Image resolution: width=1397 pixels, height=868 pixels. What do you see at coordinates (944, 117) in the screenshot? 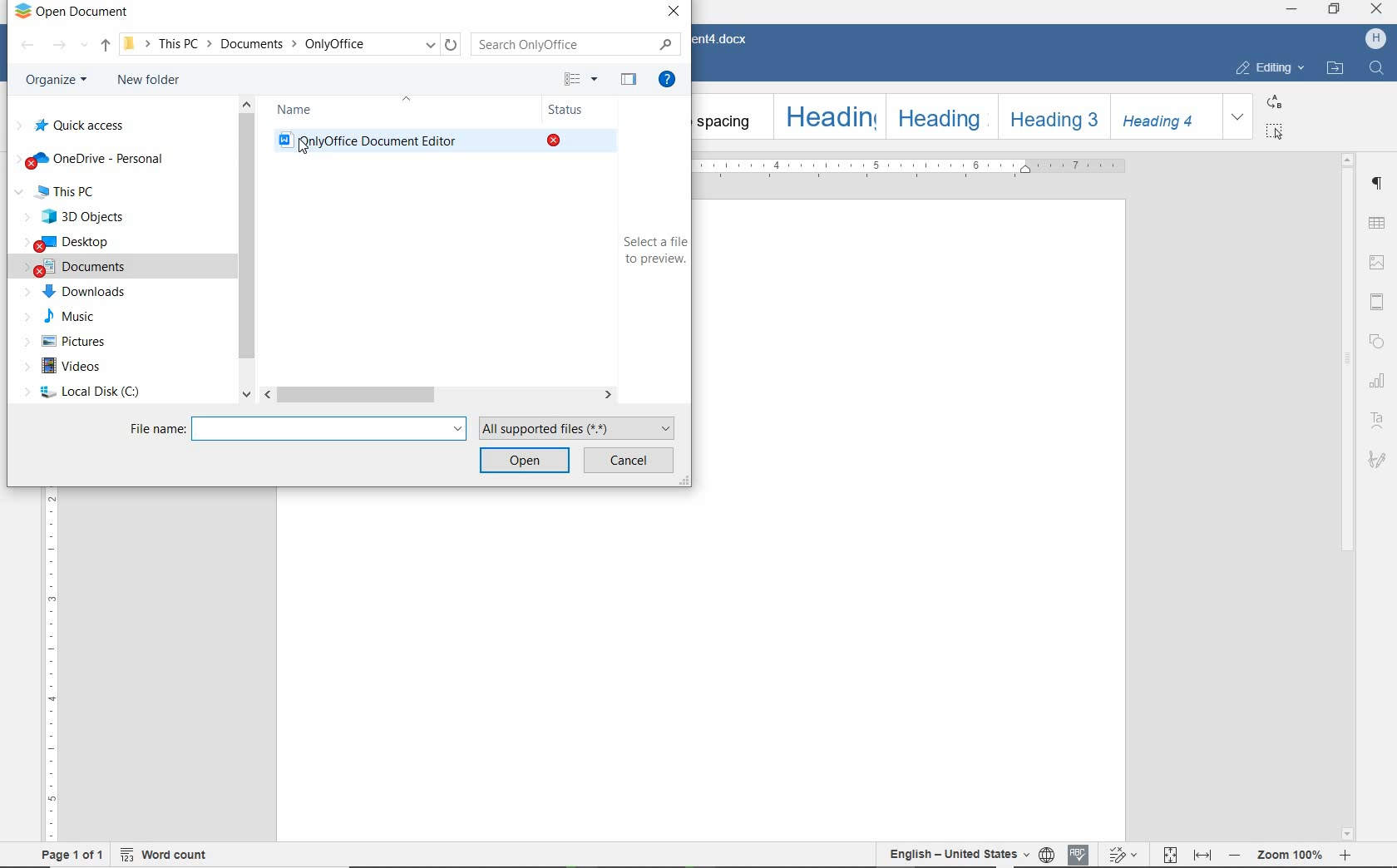
I see `Heading 2` at bounding box center [944, 117].